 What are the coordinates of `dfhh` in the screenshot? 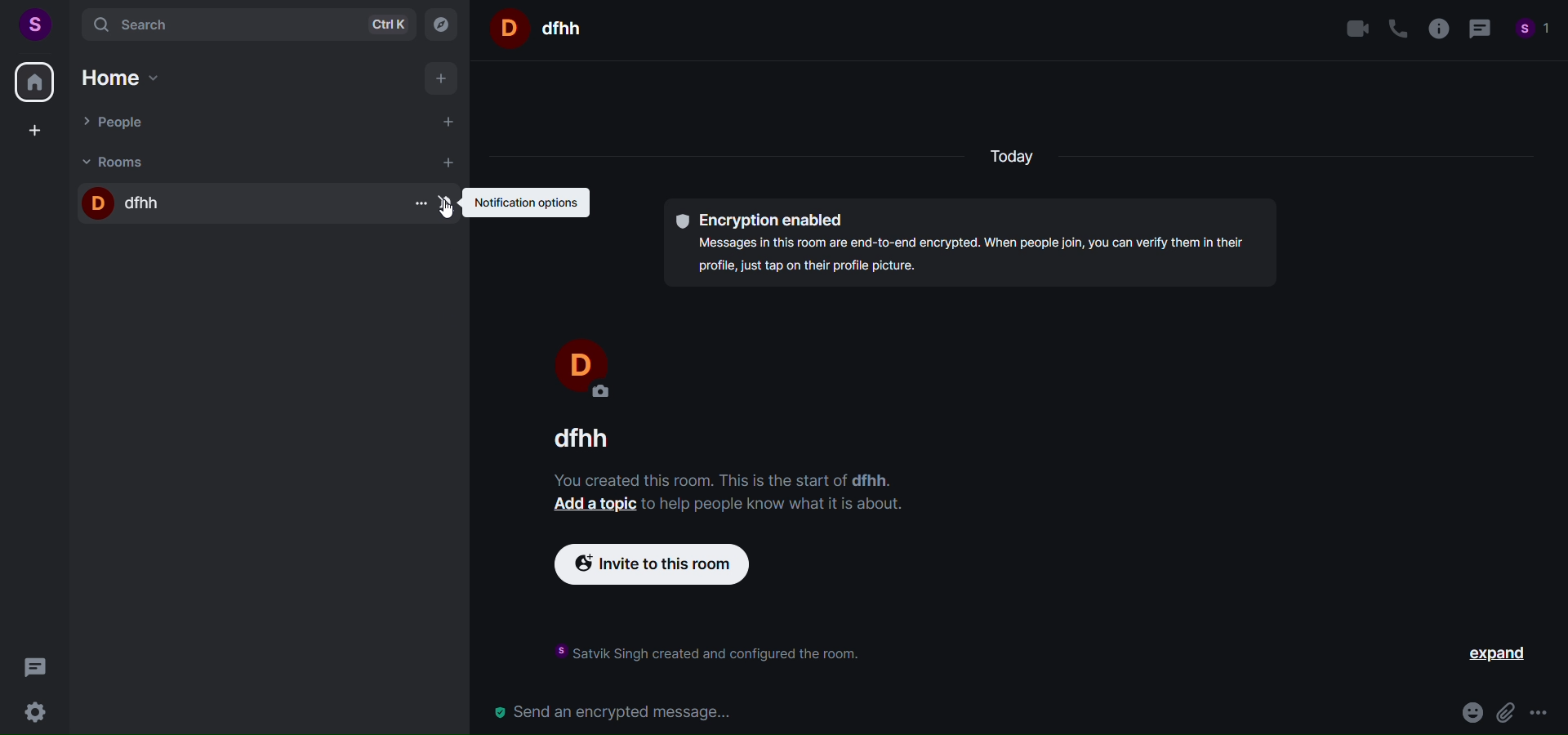 It's located at (592, 438).